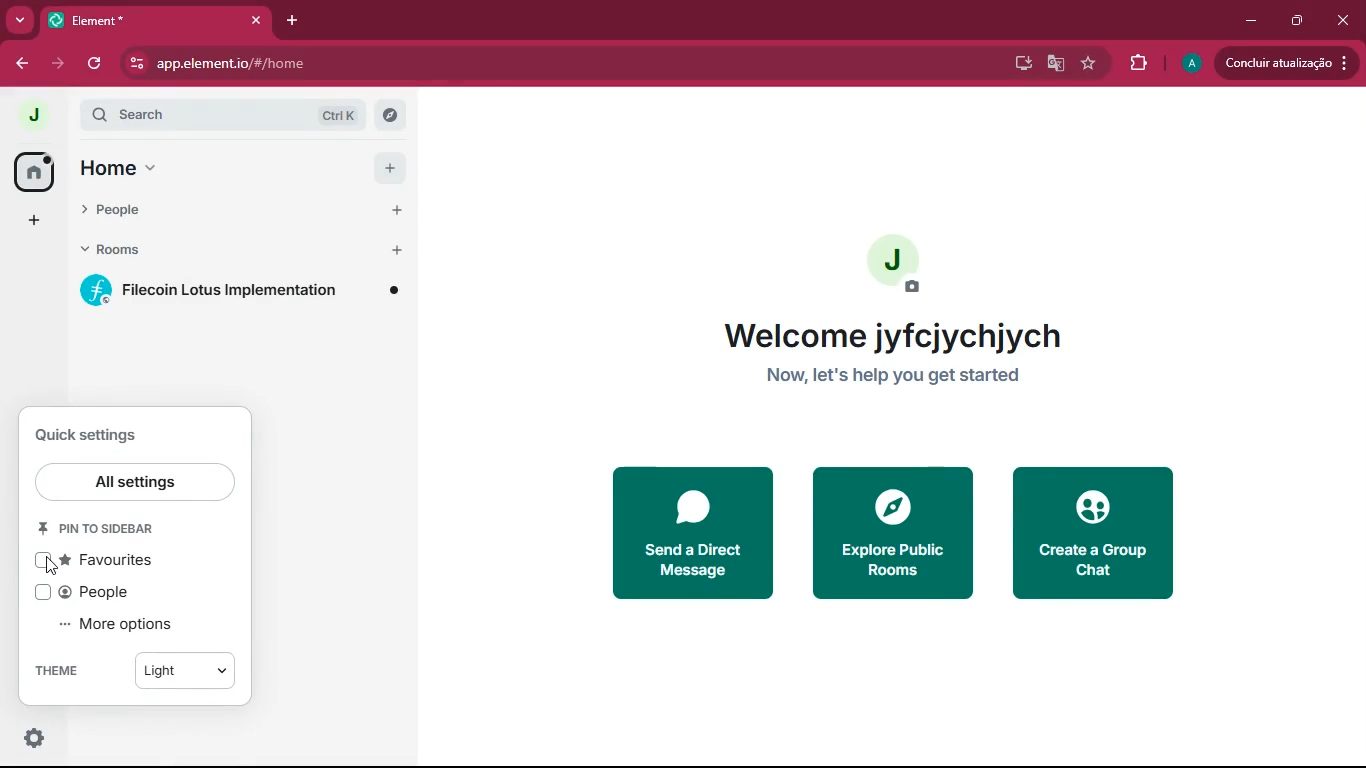 Image resolution: width=1366 pixels, height=768 pixels. Describe the element at coordinates (1019, 66) in the screenshot. I see `desktop` at that location.